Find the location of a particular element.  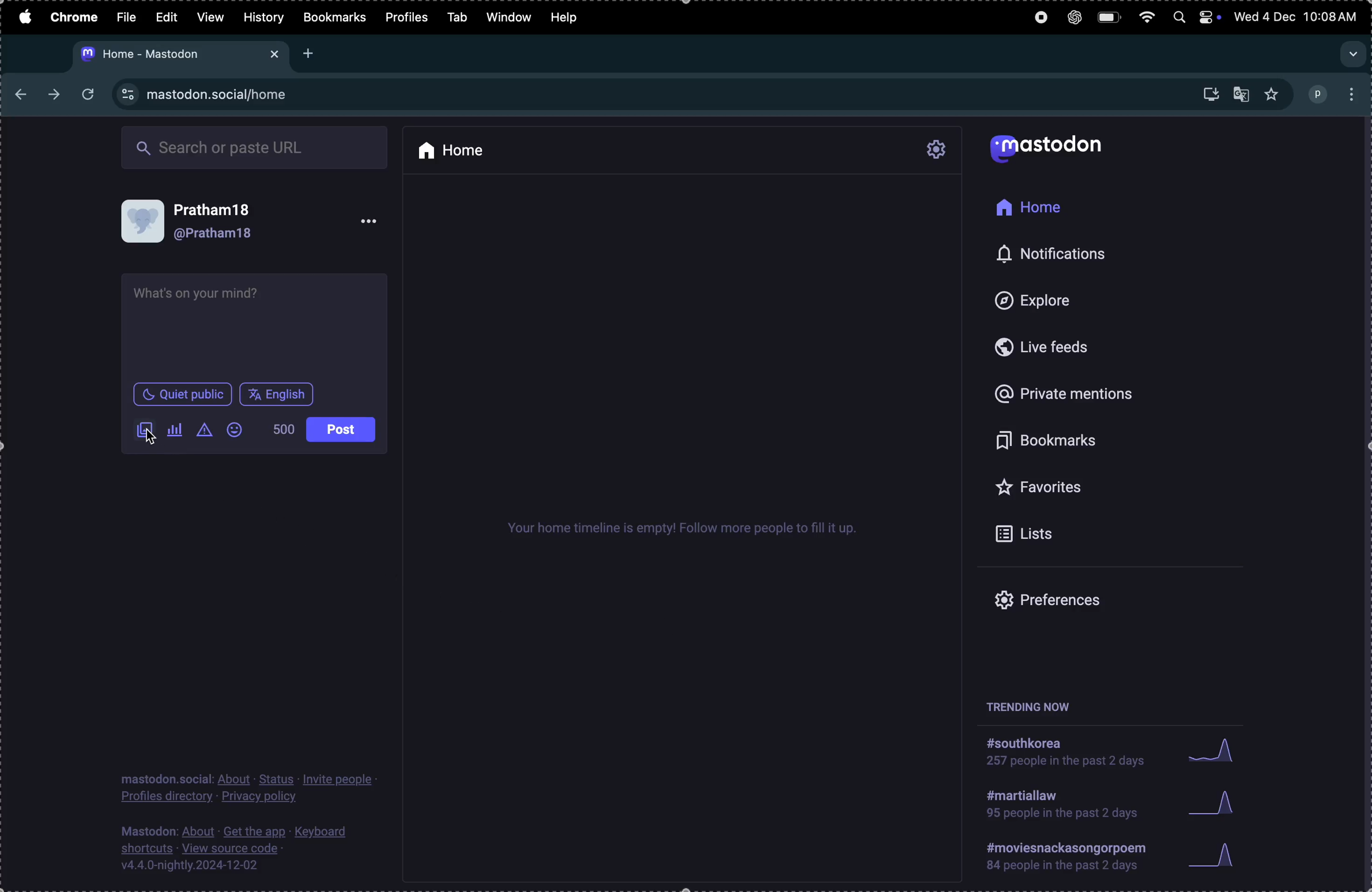

Graph is located at coordinates (1213, 750).